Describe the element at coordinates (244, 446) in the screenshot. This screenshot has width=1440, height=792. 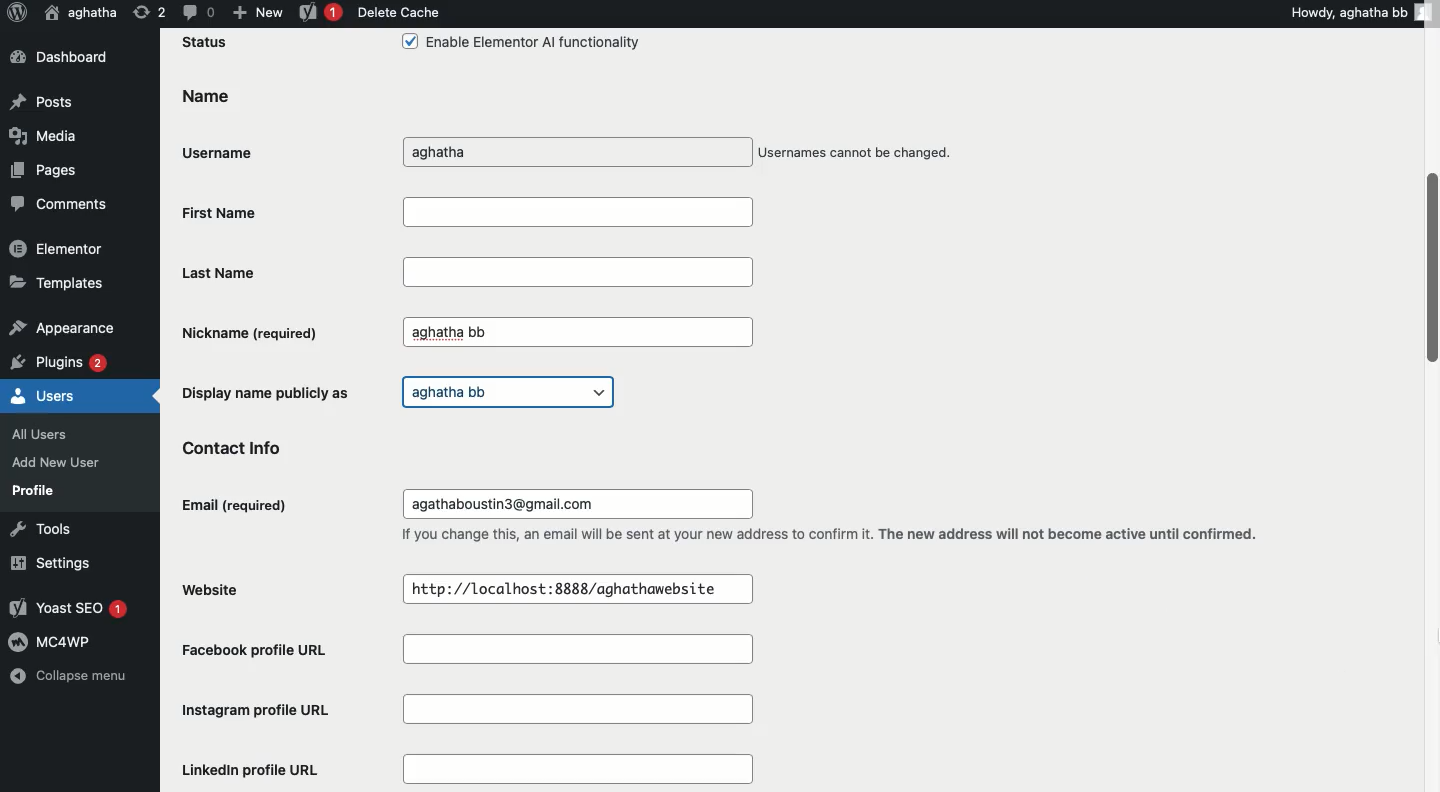
I see `Contact info` at that location.